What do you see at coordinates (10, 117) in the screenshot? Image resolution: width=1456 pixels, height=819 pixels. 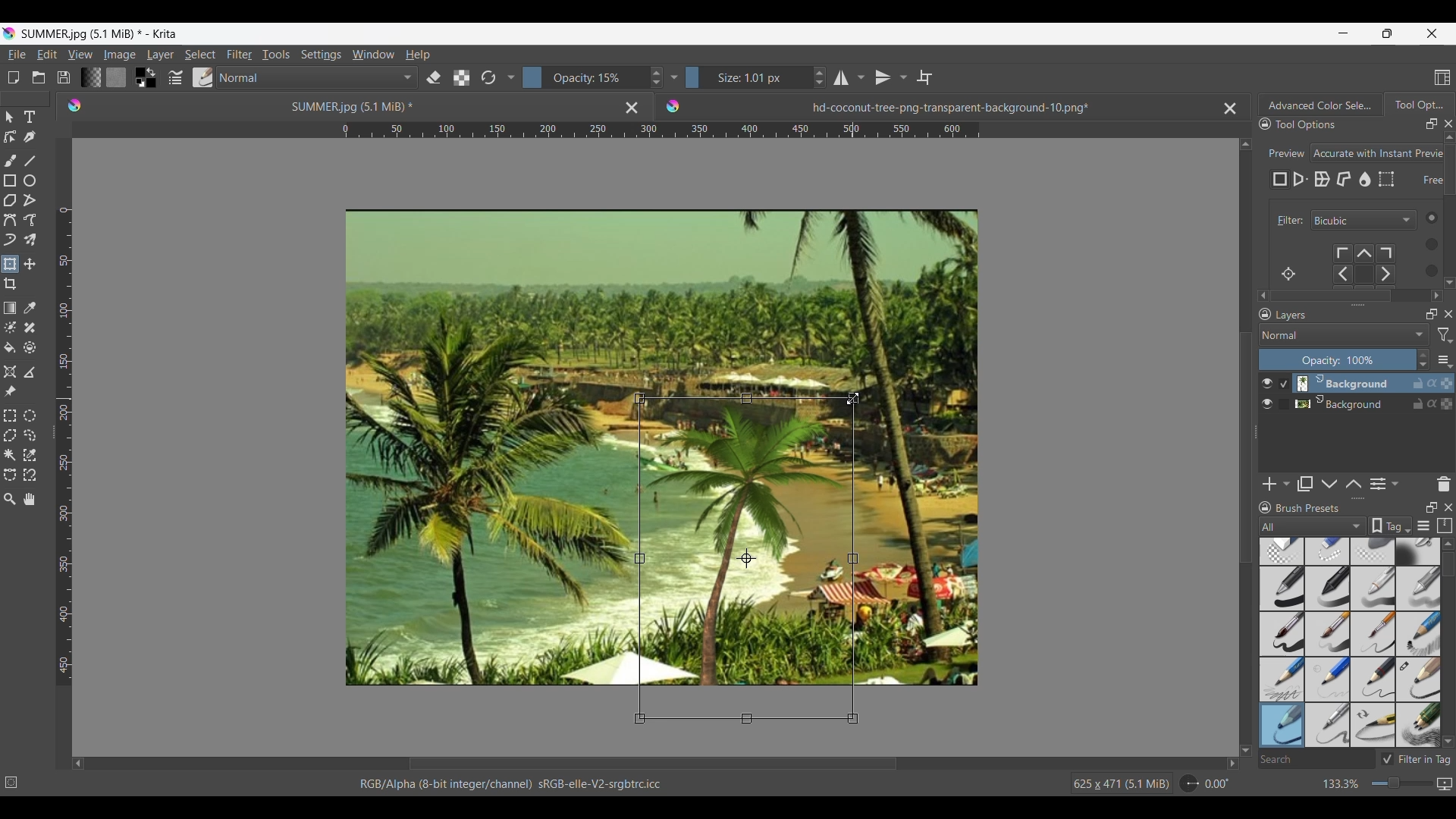 I see `Select shapes` at bounding box center [10, 117].